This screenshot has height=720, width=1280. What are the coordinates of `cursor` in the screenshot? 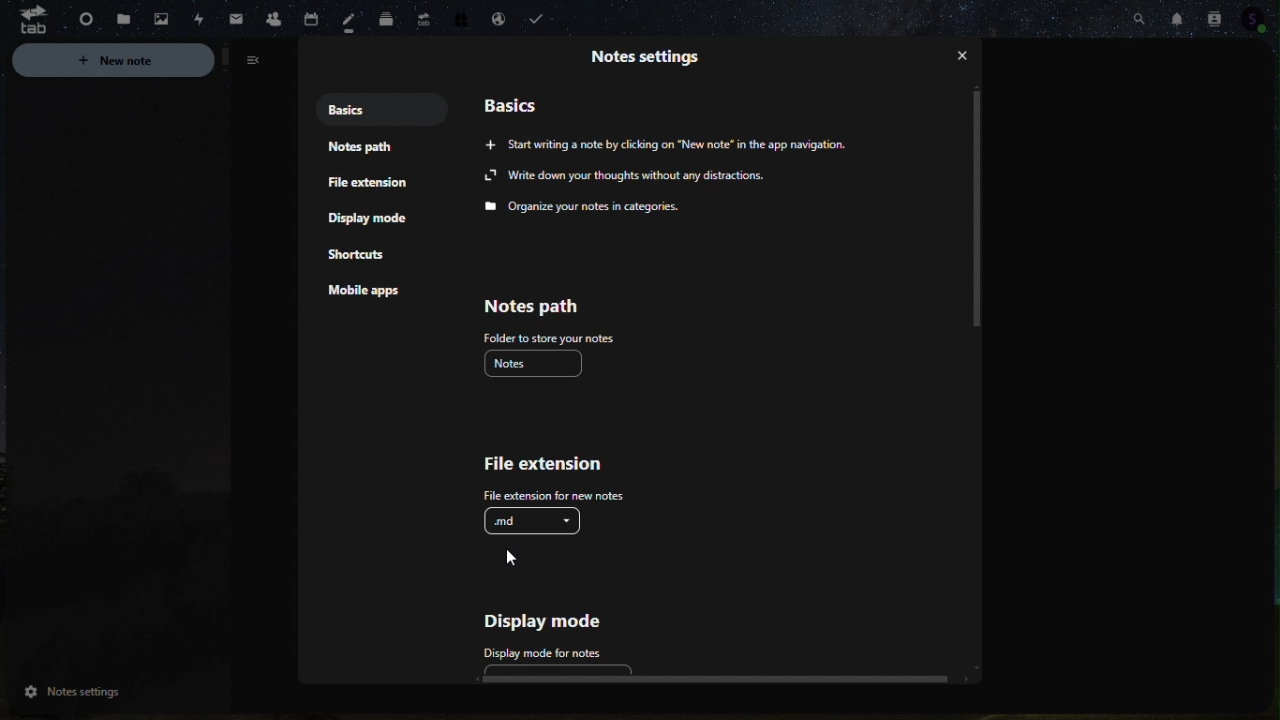 It's located at (514, 559).